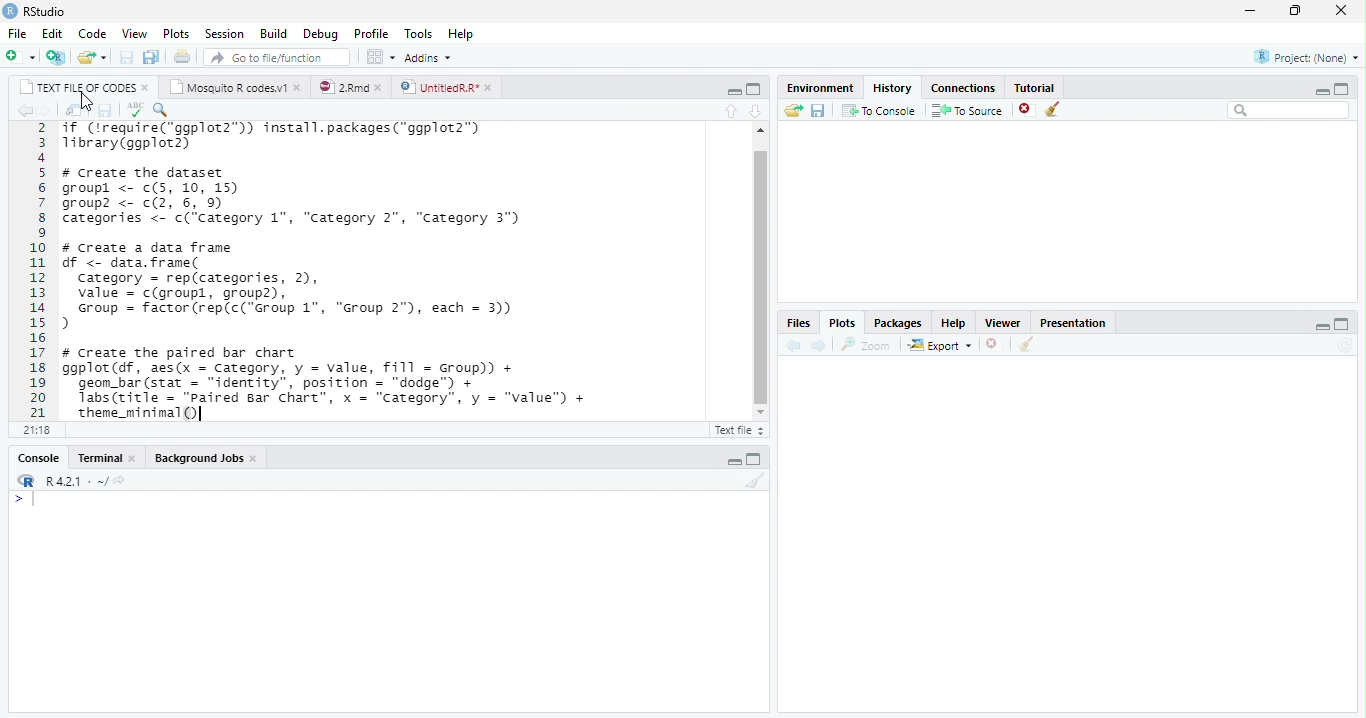 This screenshot has height=718, width=1366. What do you see at coordinates (39, 270) in the screenshot?
I see `2 3 4 5 6 7 8 9 10 11 12 13 14 15 16 17 18 19 20 21` at bounding box center [39, 270].